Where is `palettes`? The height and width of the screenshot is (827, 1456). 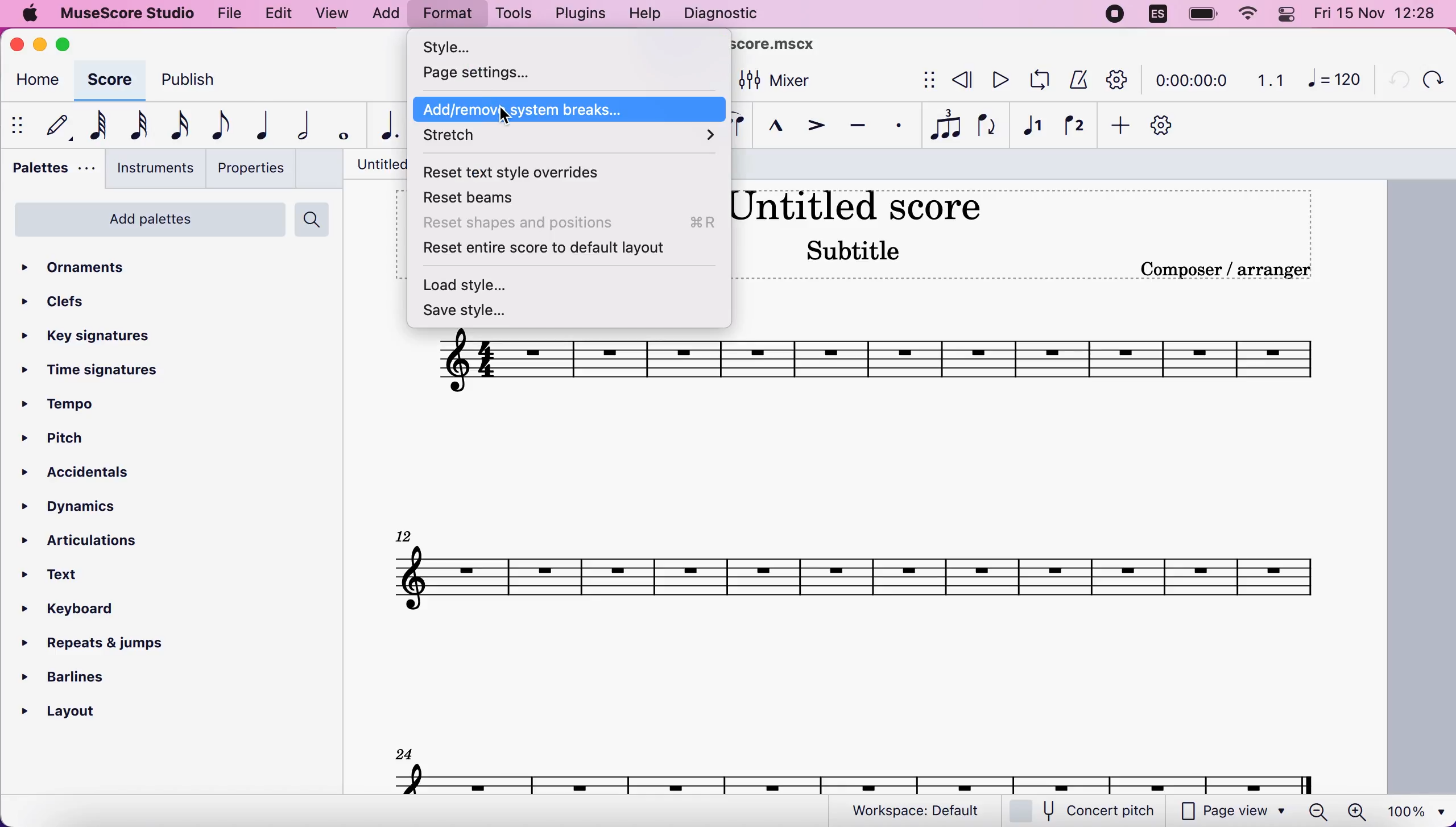 palettes is located at coordinates (50, 171).